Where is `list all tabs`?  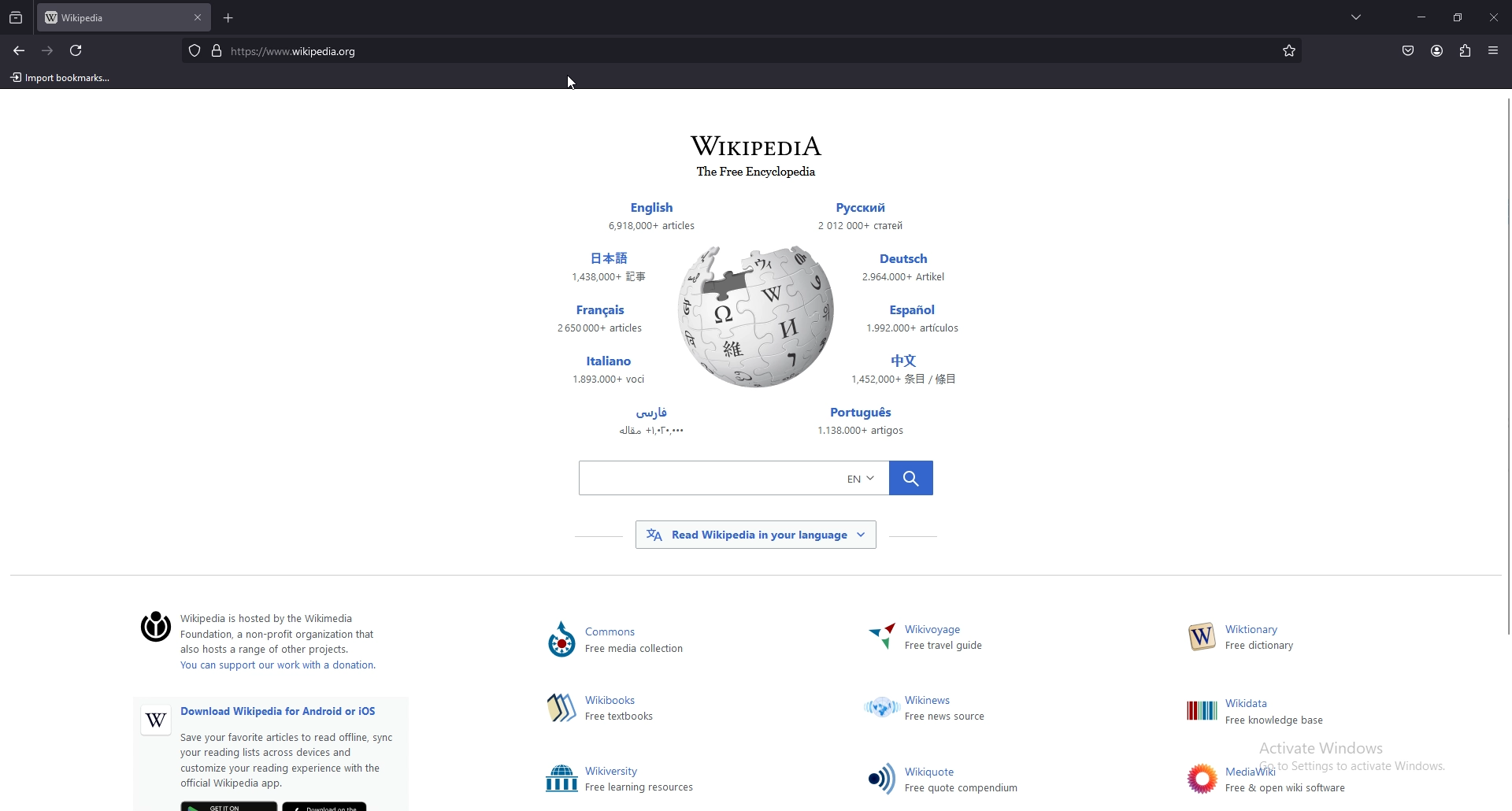
list all tabs is located at coordinates (1361, 16).